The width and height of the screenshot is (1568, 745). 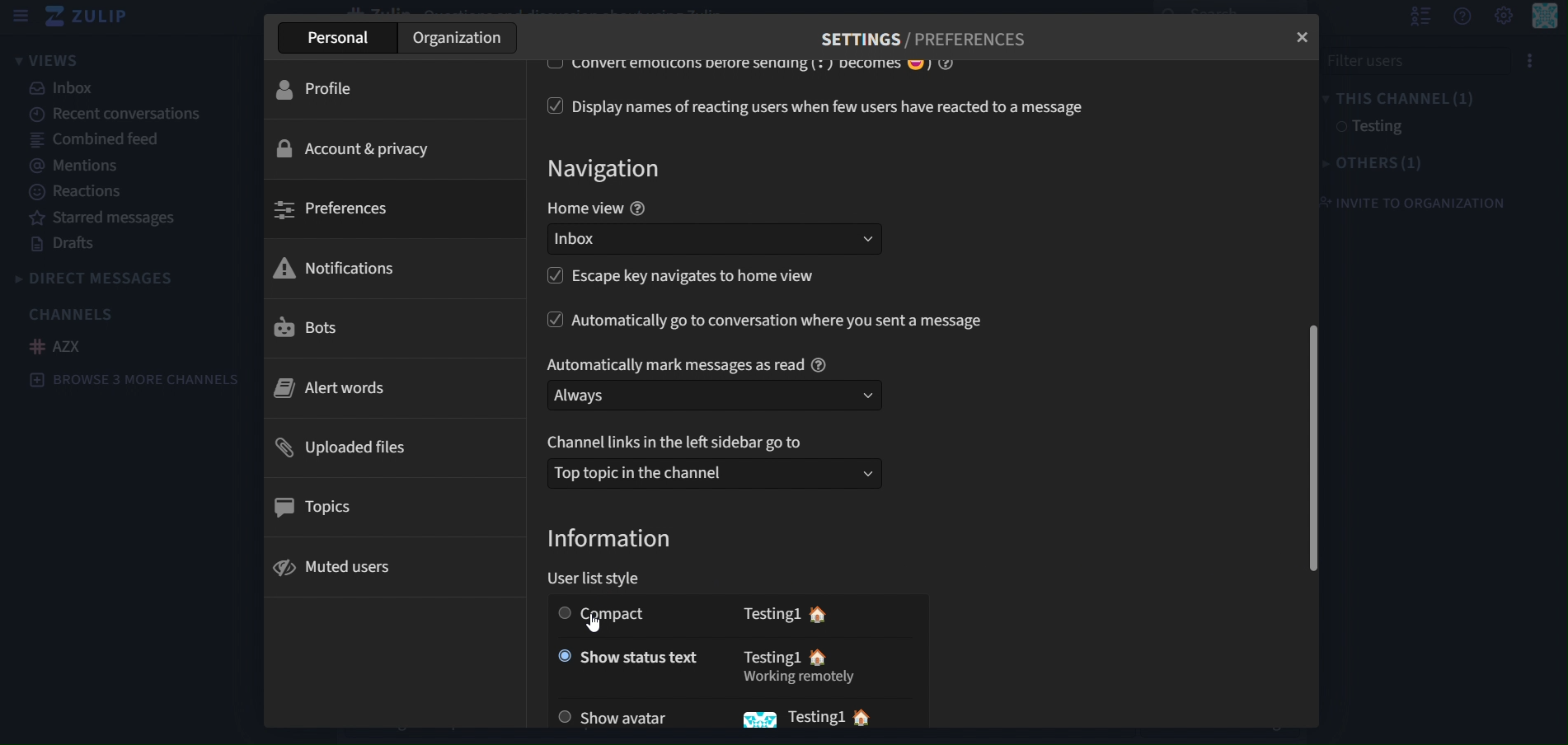 I want to click on close, so click(x=1305, y=35).